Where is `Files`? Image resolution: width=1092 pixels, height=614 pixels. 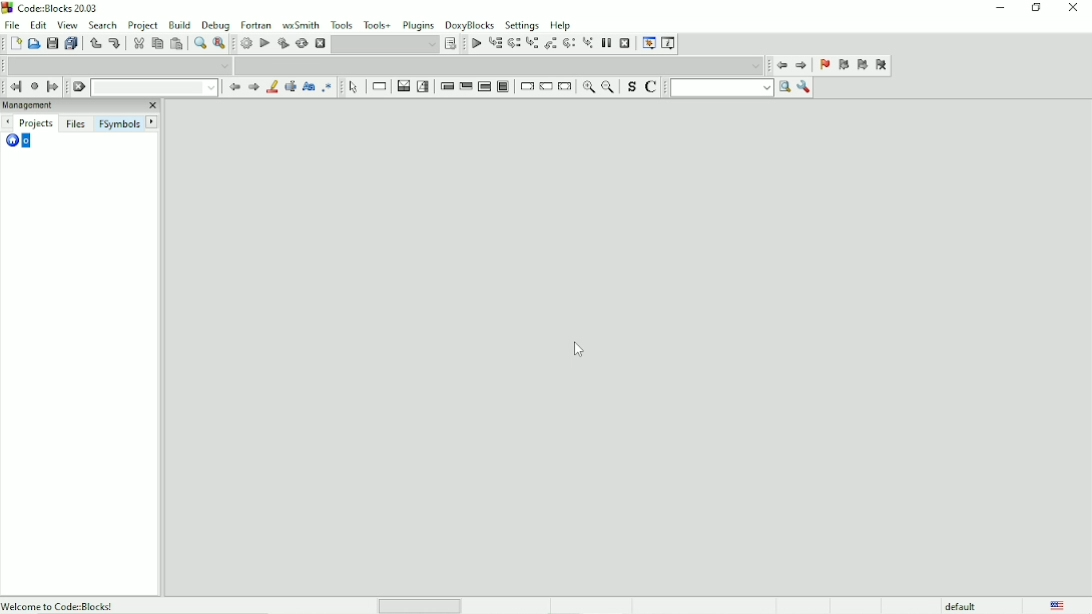 Files is located at coordinates (75, 124).